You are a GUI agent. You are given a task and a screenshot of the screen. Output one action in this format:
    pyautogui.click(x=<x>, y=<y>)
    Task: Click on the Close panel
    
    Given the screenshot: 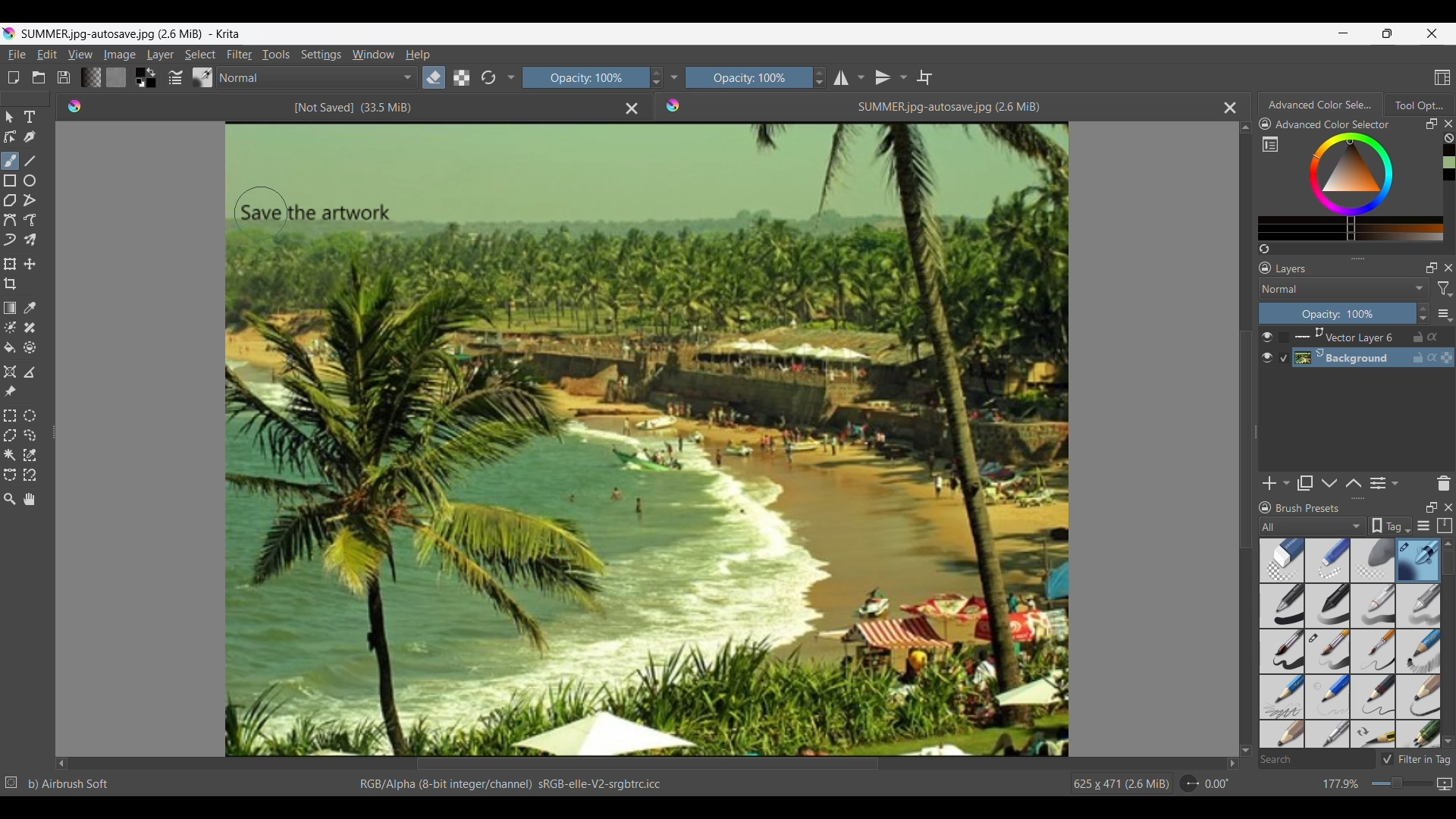 What is the action you would take?
    pyautogui.click(x=1448, y=507)
    